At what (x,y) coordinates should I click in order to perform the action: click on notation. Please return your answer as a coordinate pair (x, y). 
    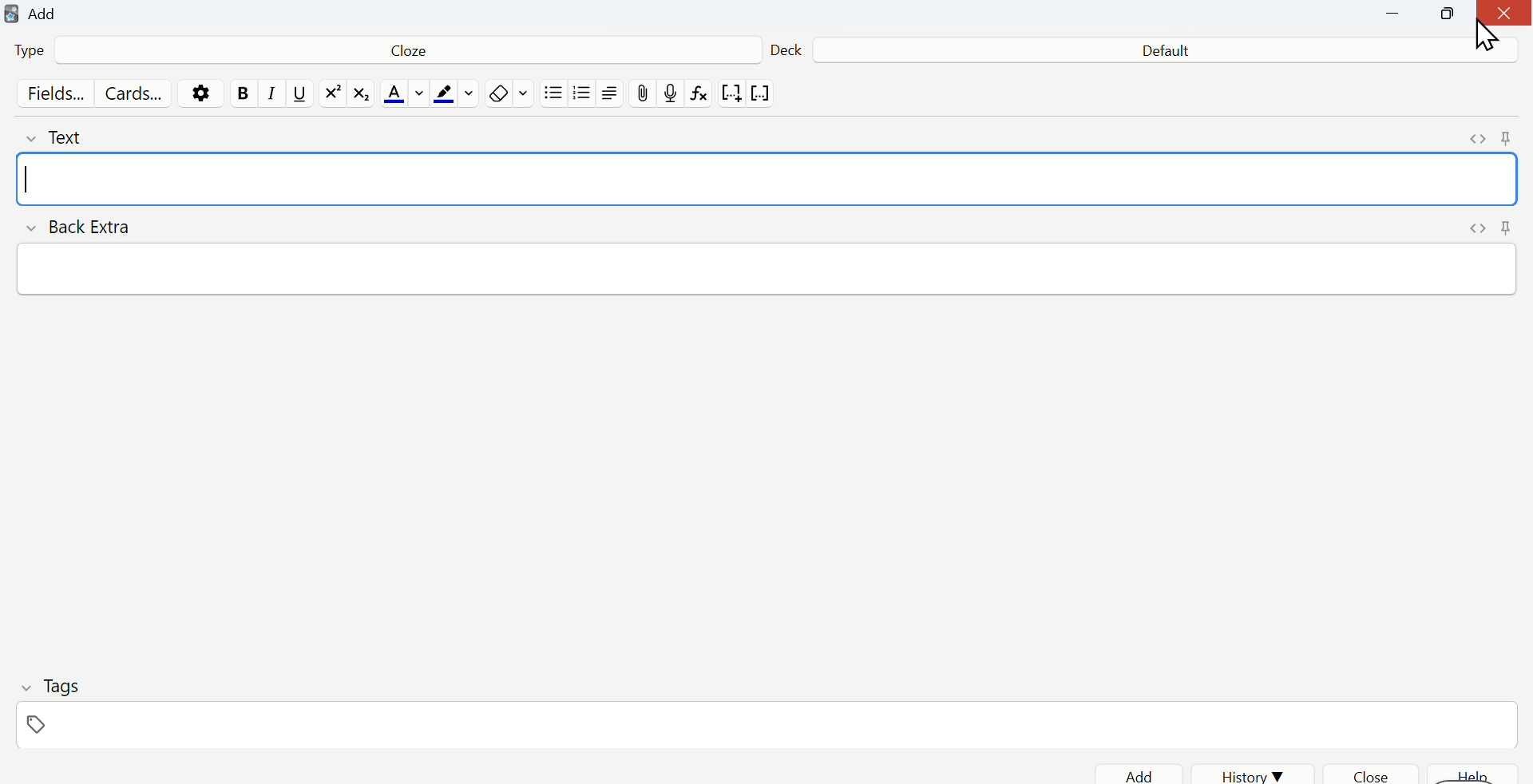
    Looking at the image, I should click on (731, 96).